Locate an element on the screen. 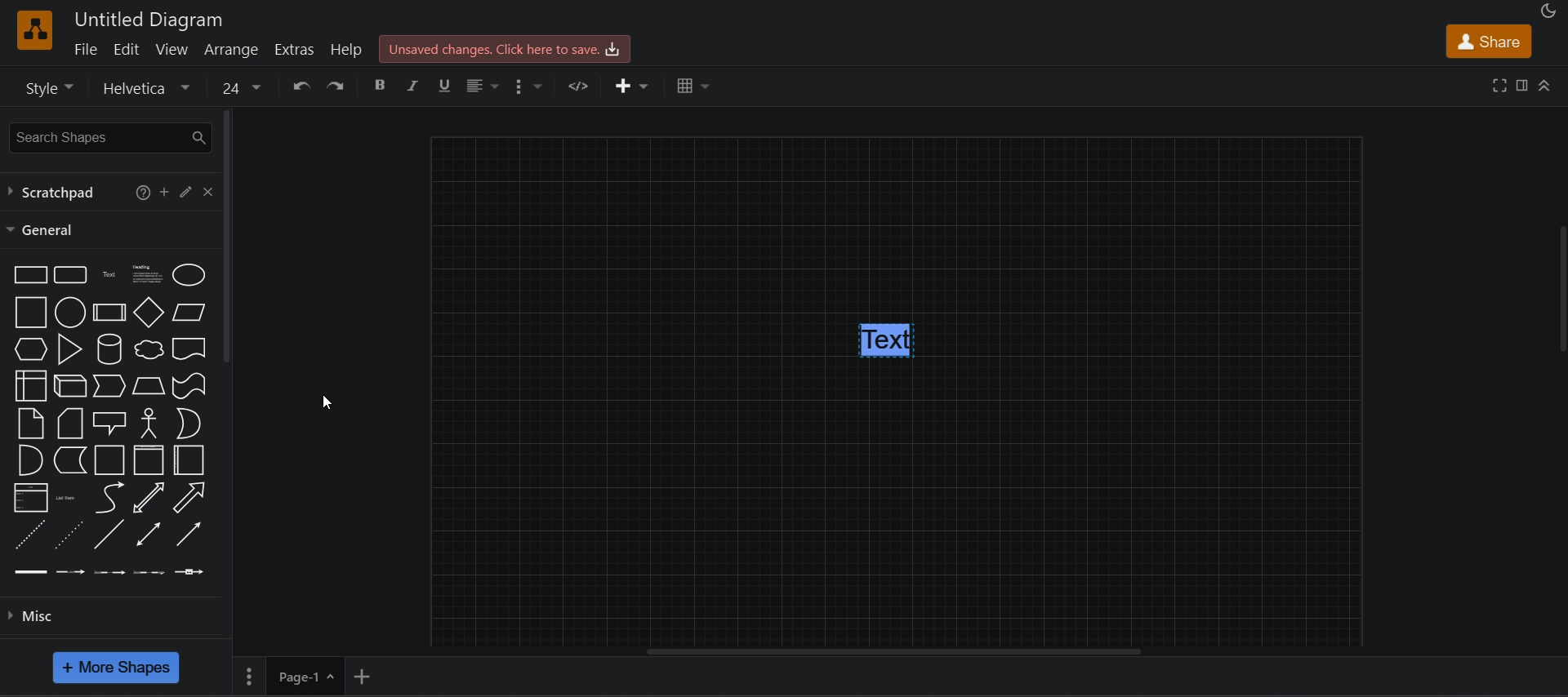 This screenshot has width=1568, height=697. view is located at coordinates (172, 49).